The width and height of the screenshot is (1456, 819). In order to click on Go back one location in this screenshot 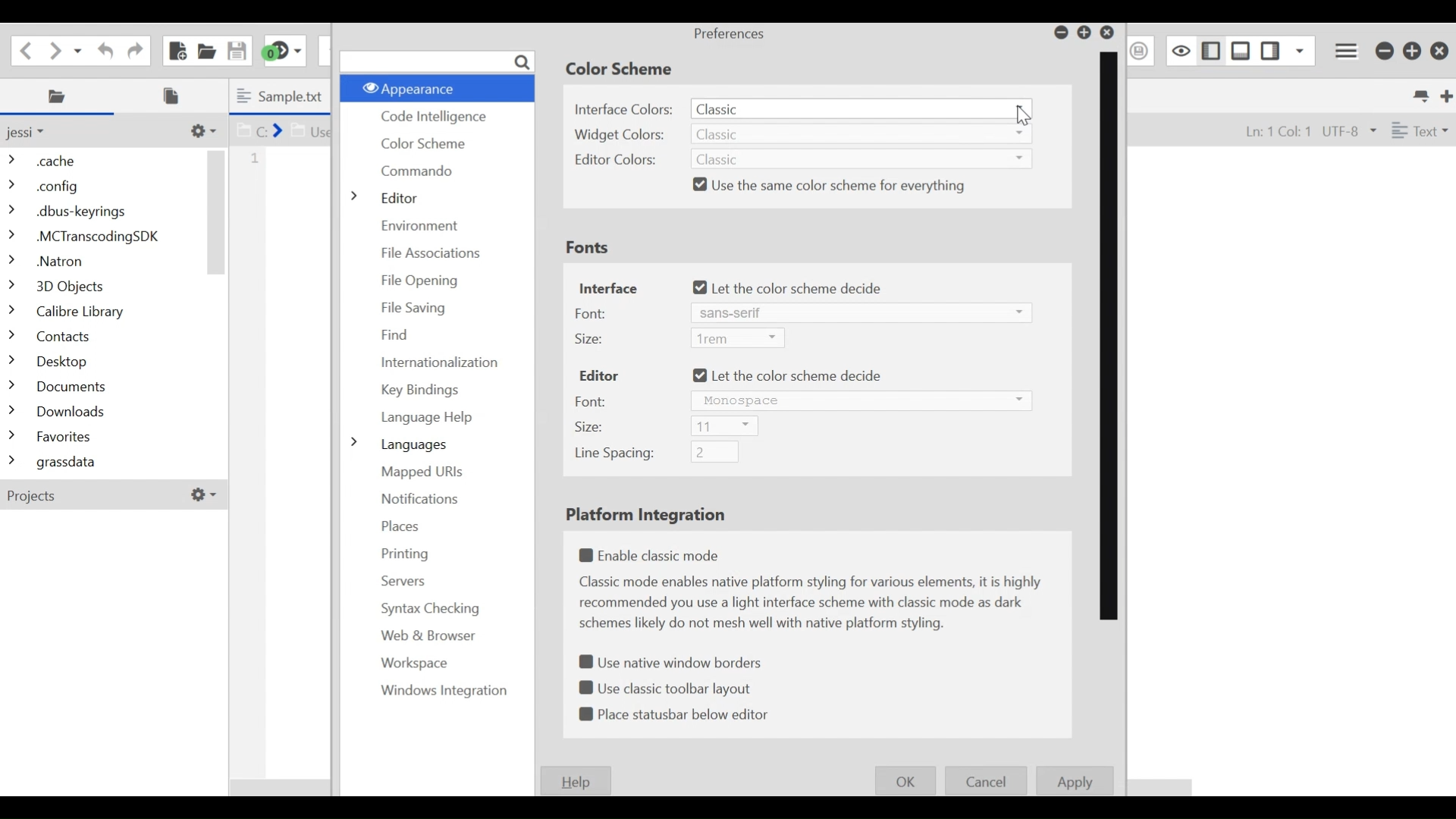, I will do `click(26, 49)`.